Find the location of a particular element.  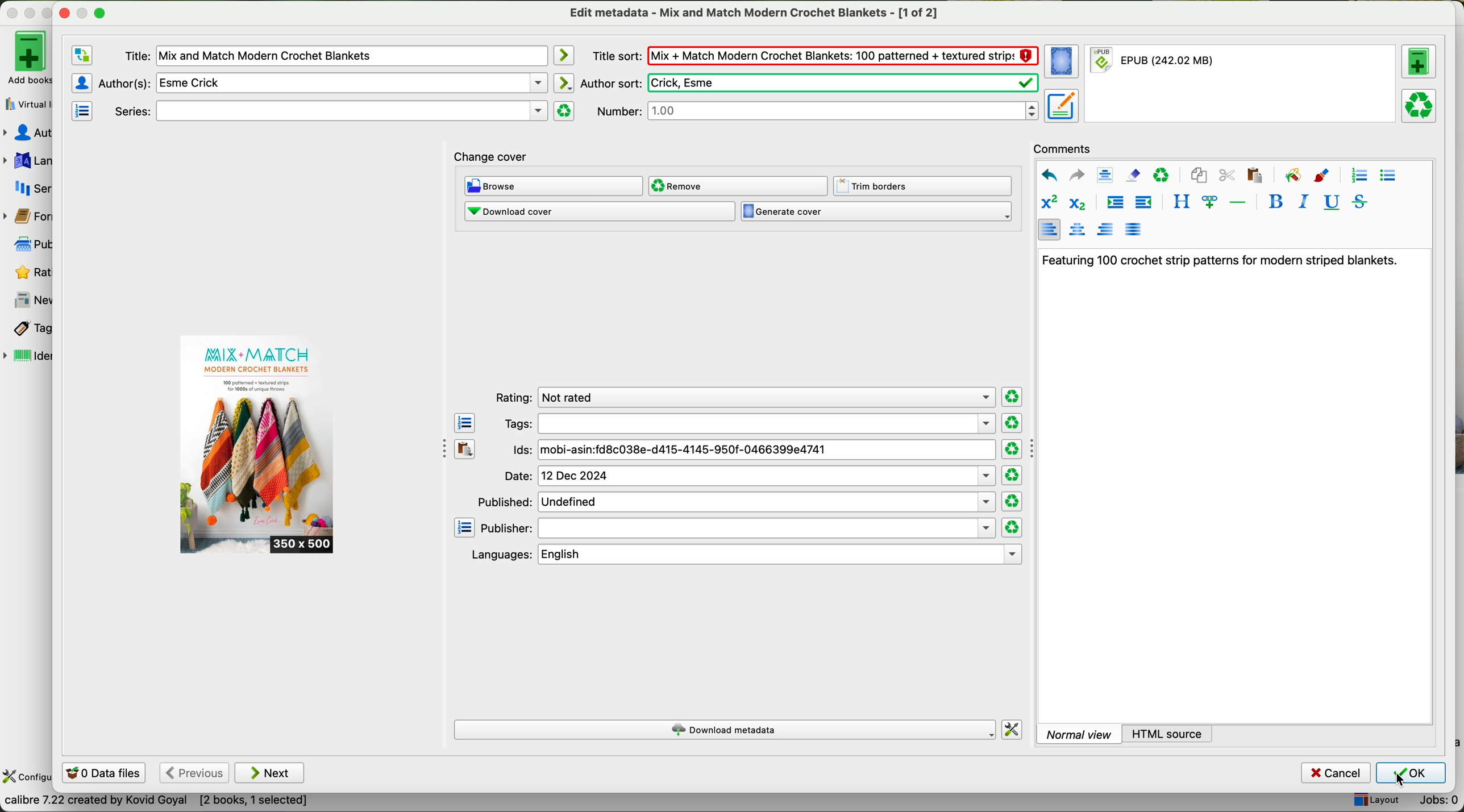

clear rating is located at coordinates (1011, 423).